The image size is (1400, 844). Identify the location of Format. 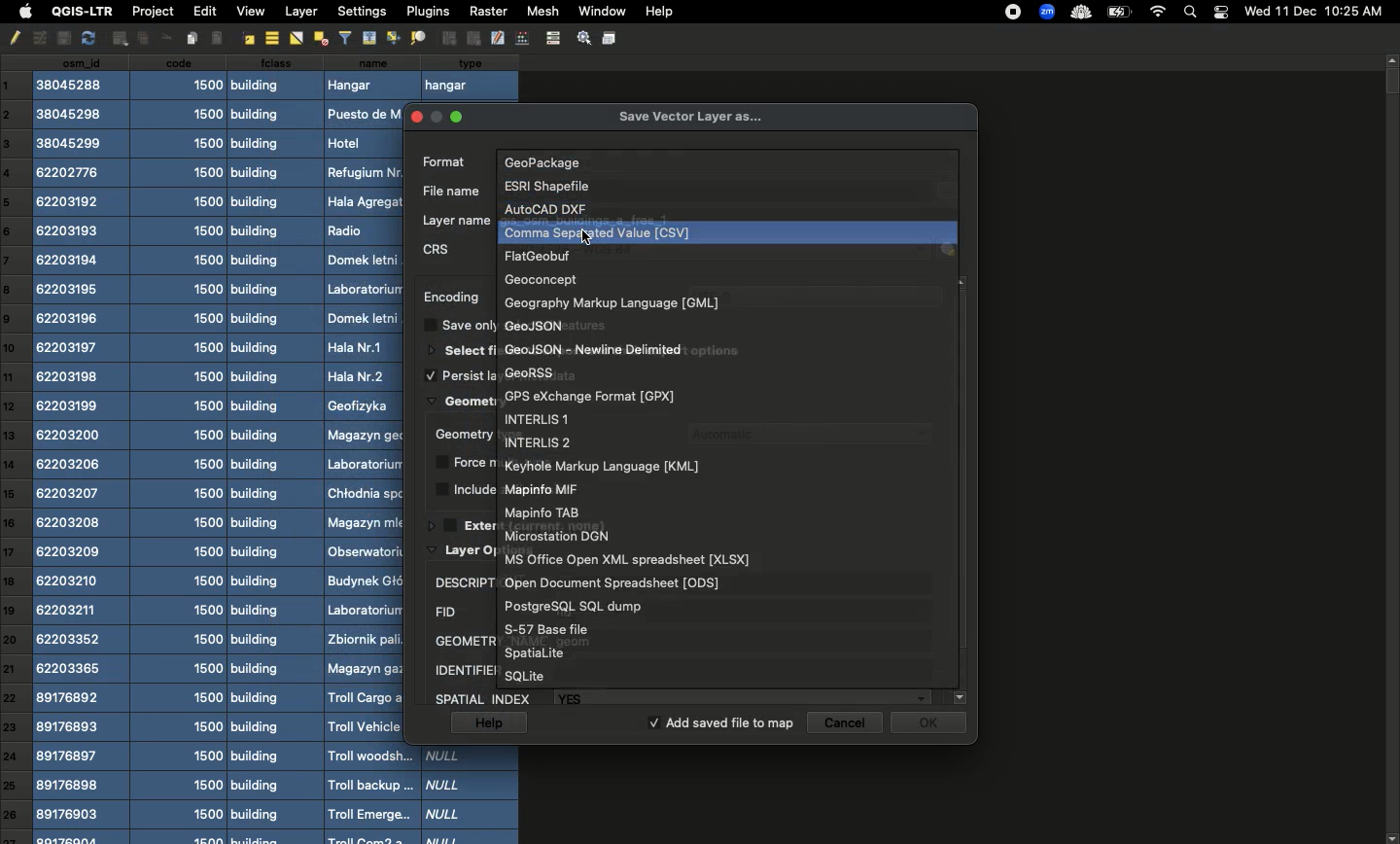
(545, 277).